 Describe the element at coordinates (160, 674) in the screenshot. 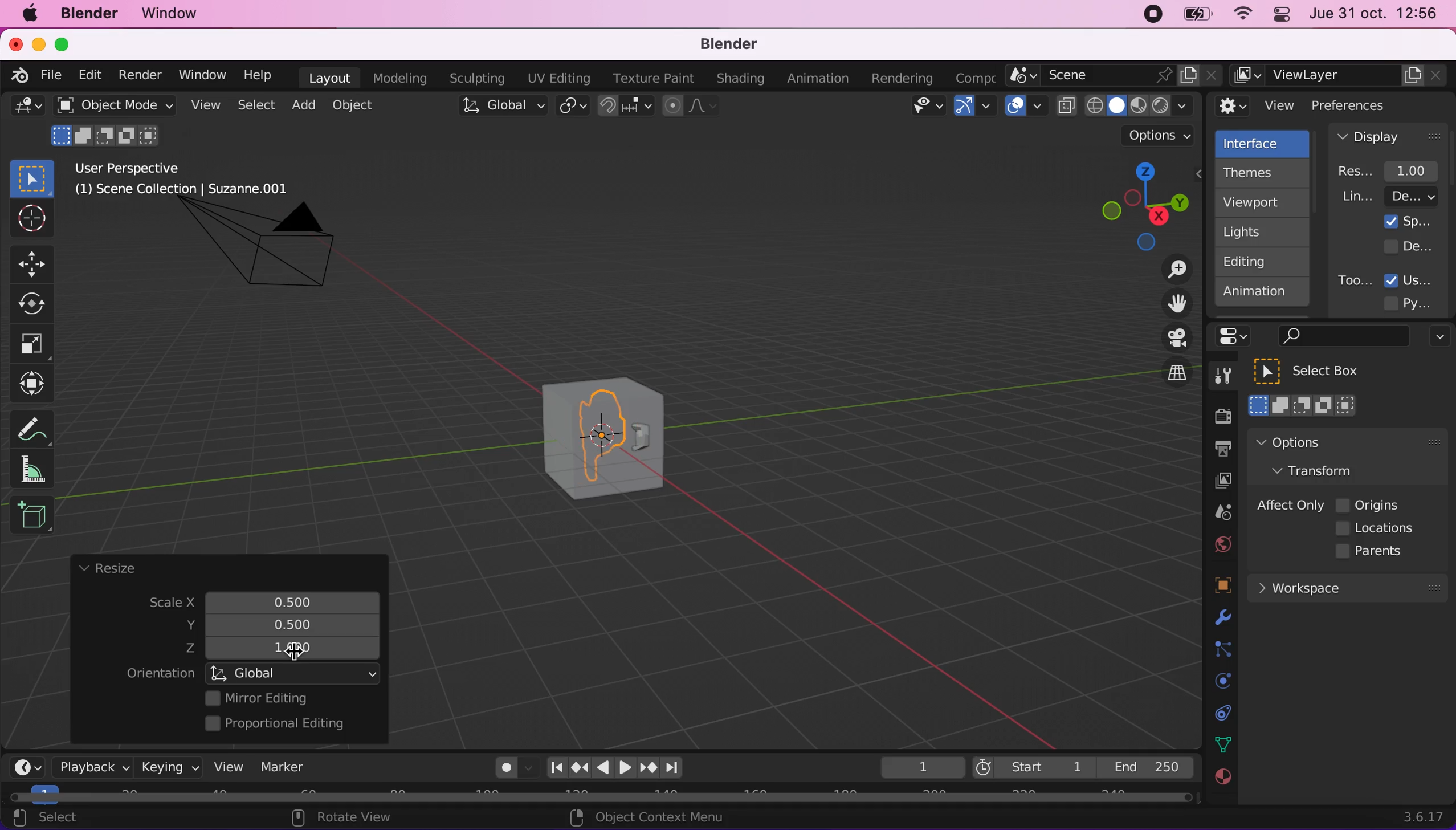

I see `orientation` at that location.